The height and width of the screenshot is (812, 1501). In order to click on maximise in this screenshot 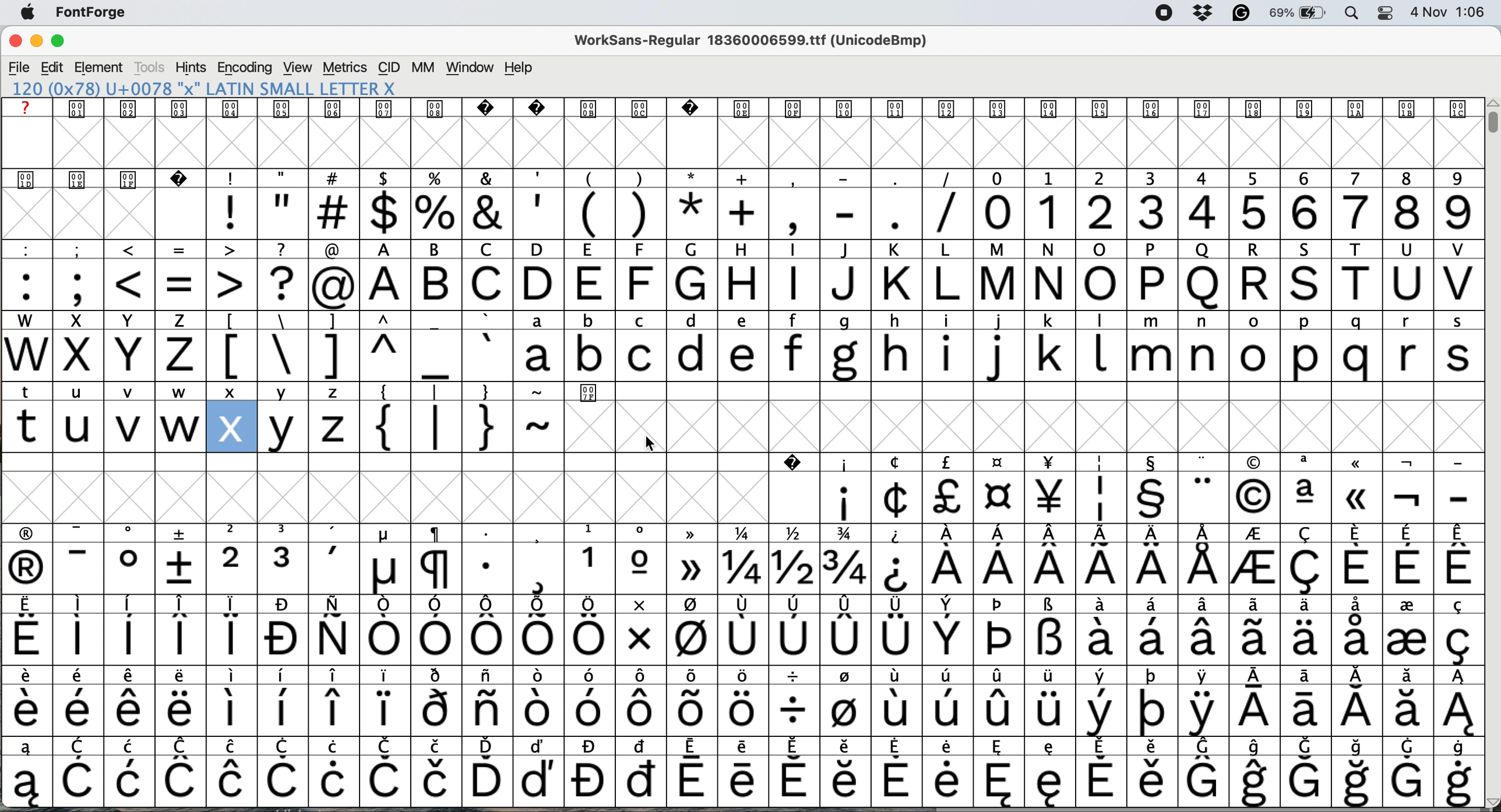, I will do `click(65, 43)`.